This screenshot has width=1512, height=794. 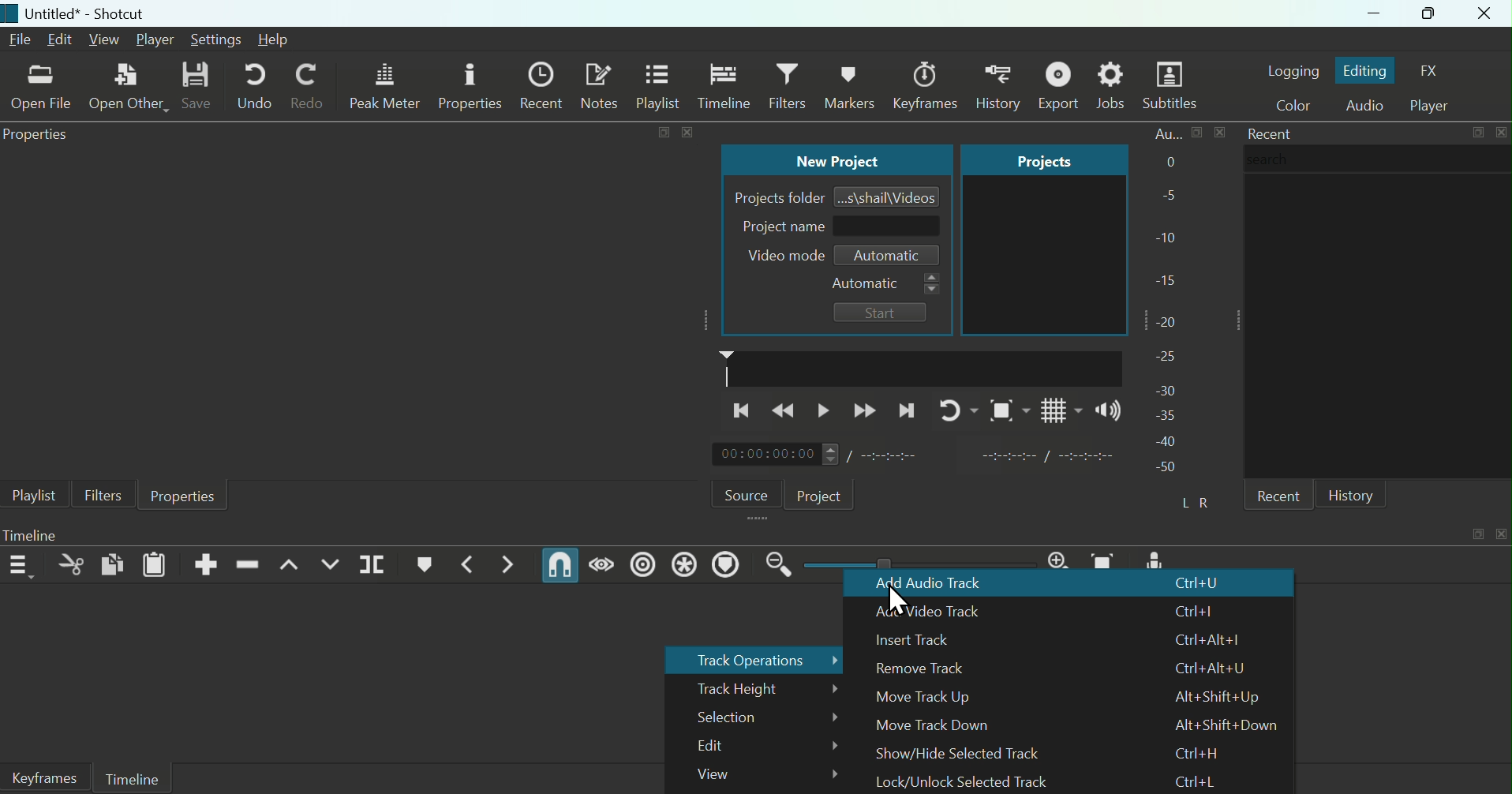 I want to click on Selection, so click(x=755, y=717).